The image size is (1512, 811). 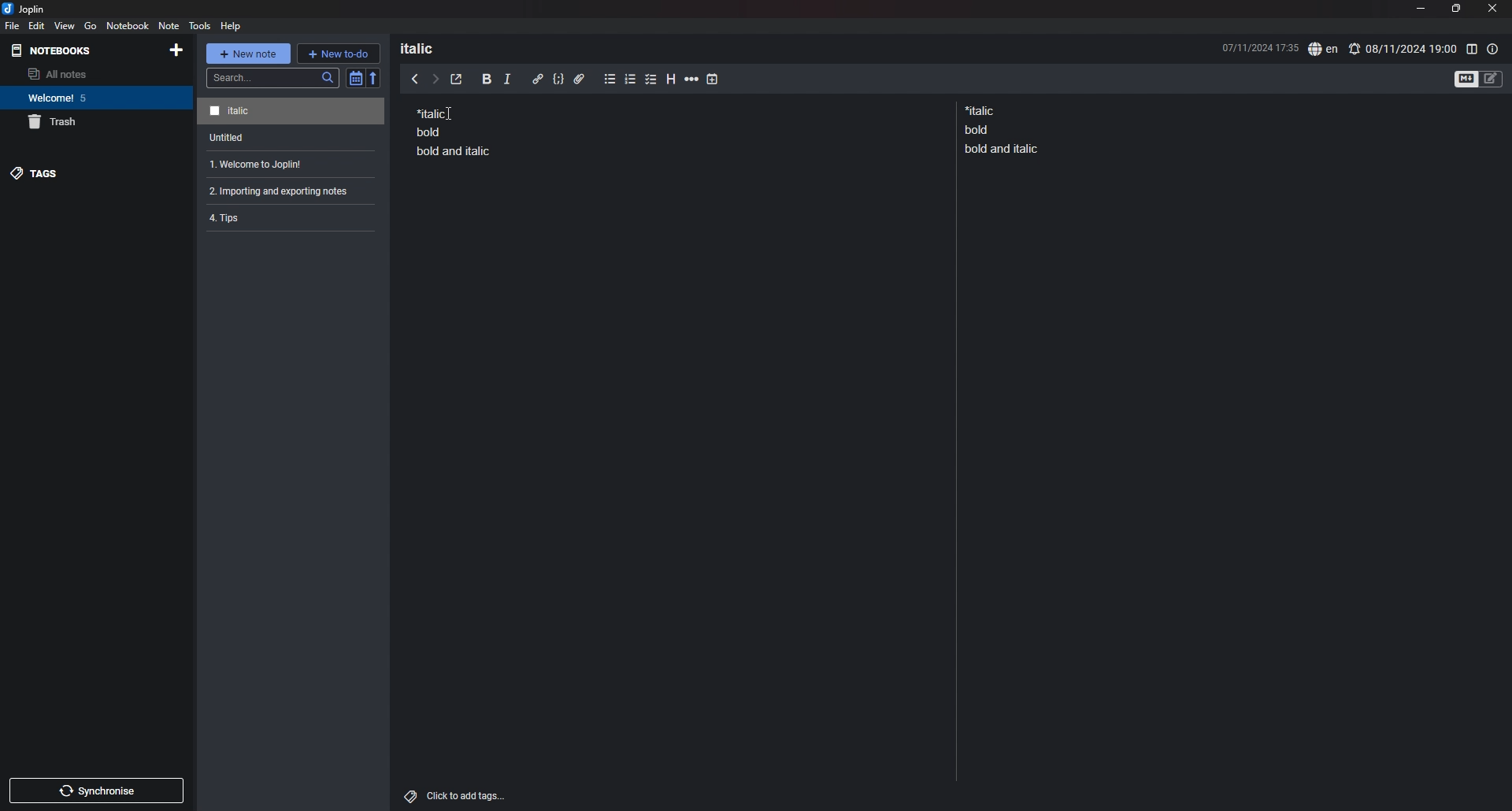 What do you see at coordinates (232, 25) in the screenshot?
I see `help` at bounding box center [232, 25].